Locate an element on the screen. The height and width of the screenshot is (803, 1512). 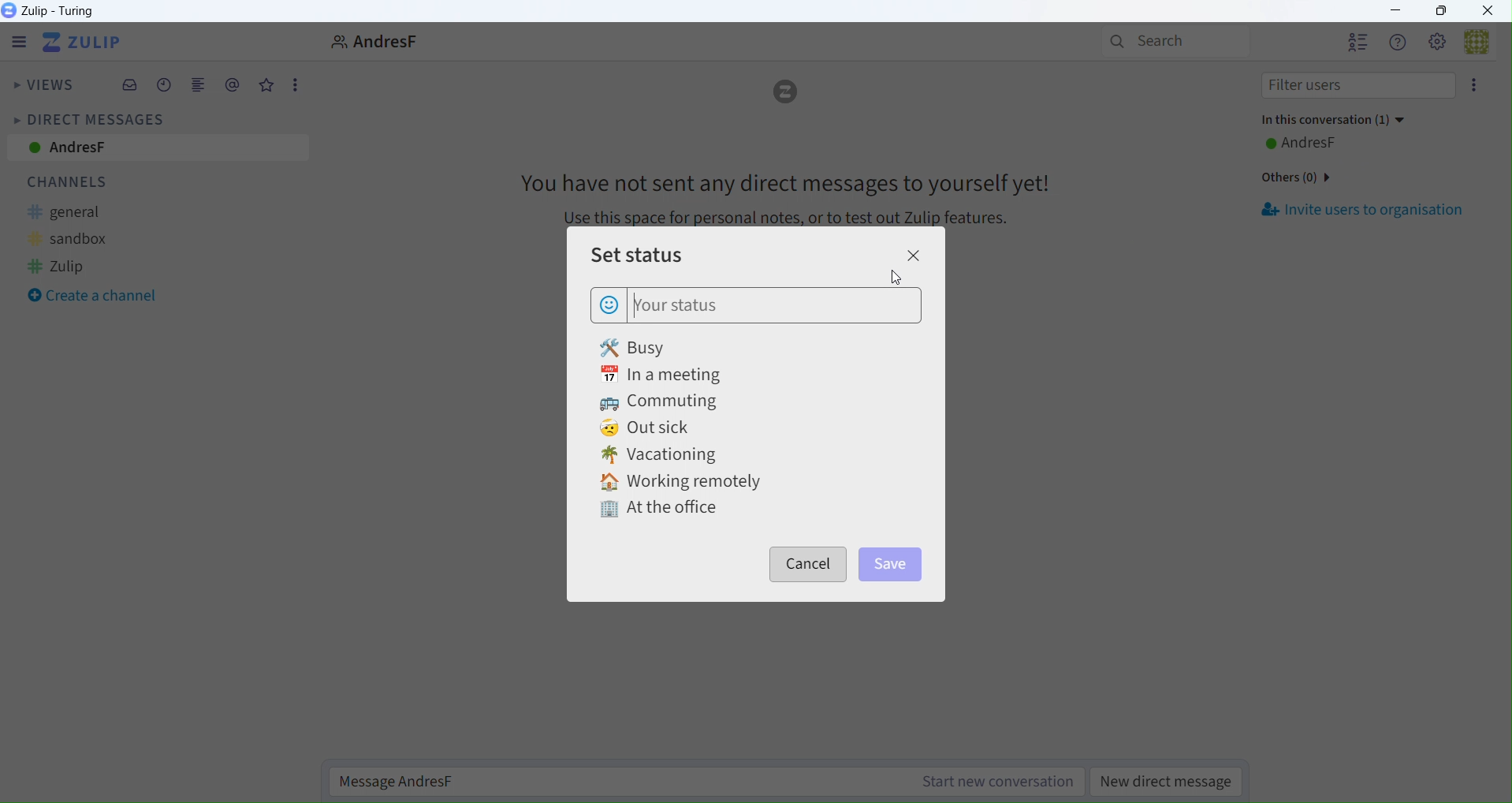
Mentions is located at coordinates (233, 85).